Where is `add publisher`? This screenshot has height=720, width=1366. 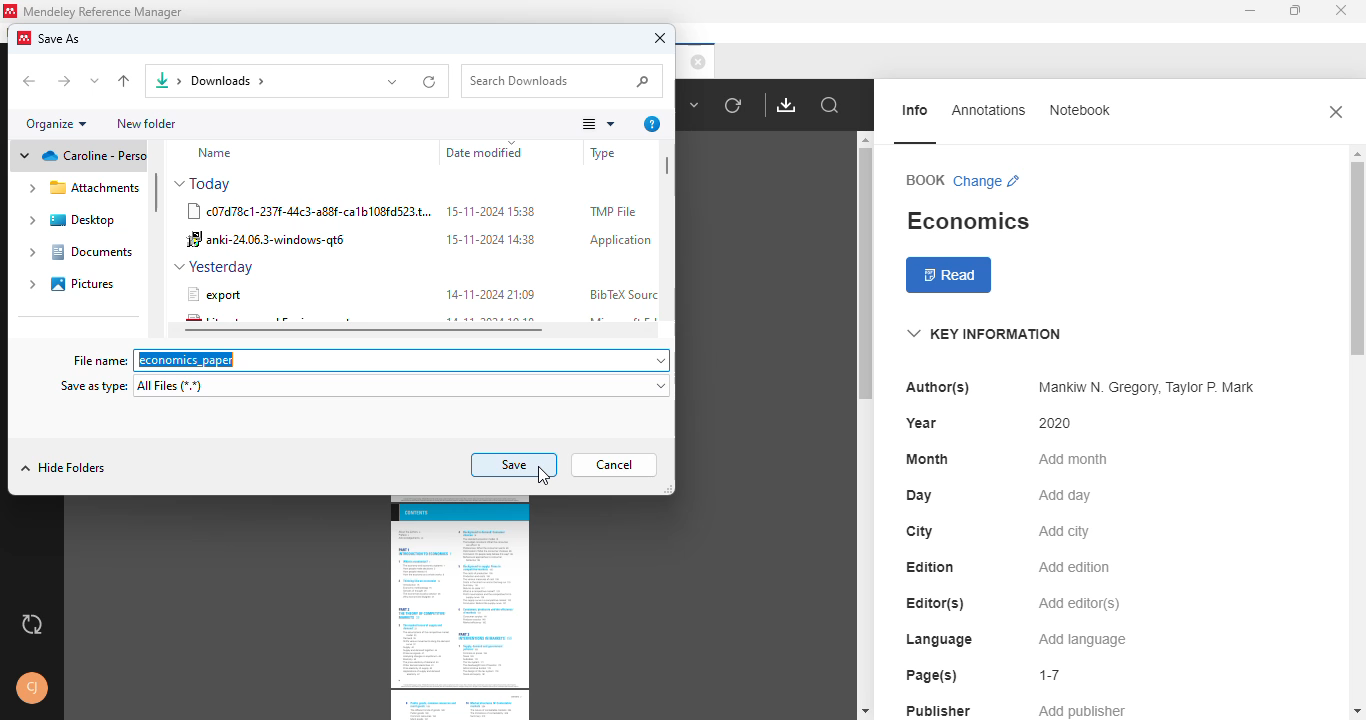 add publisher is located at coordinates (1083, 711).